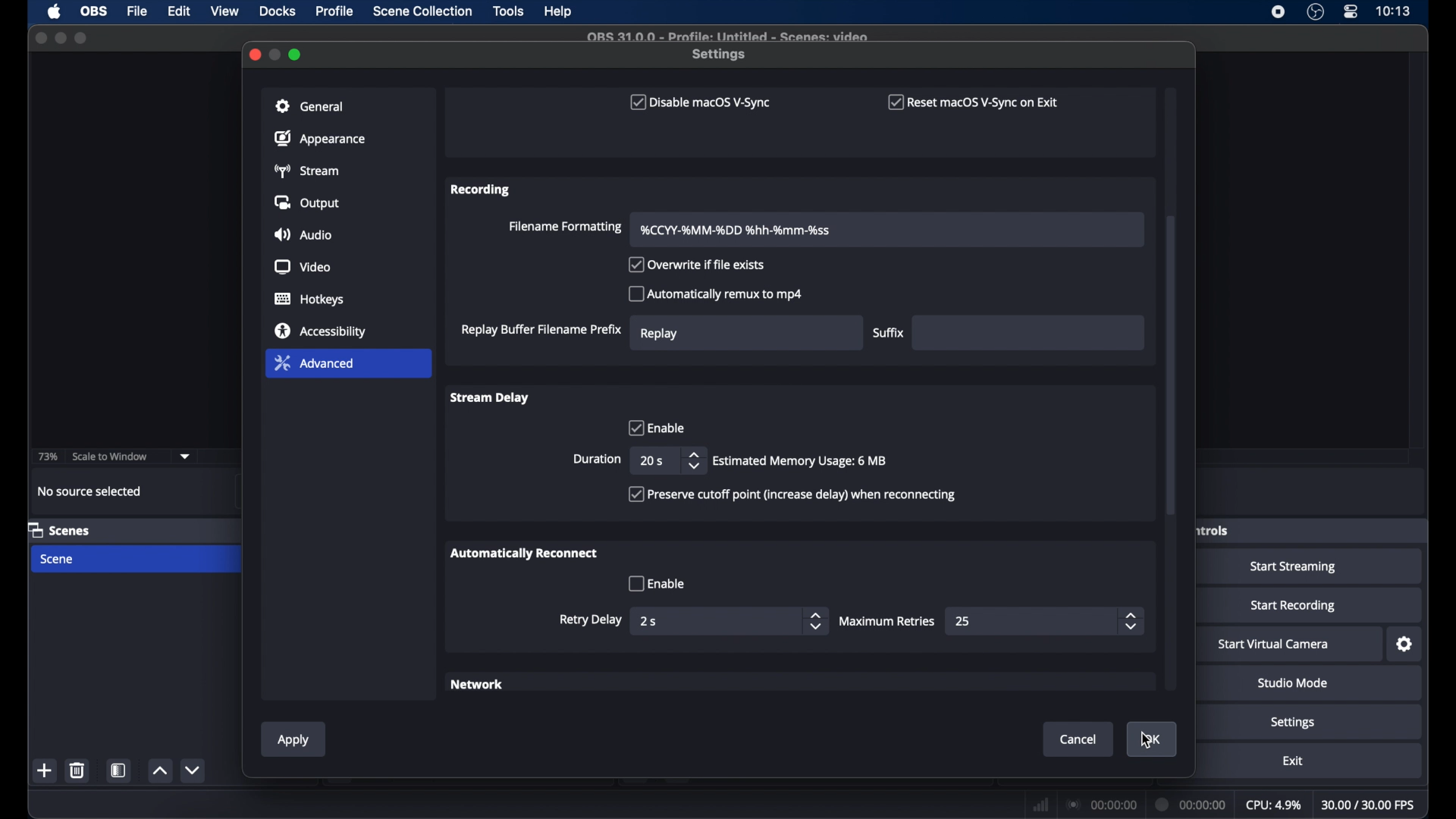 The image size is (1456, 819). Describe the element at coordinates (45, 770) in the screenshot. I see `add` at that location.